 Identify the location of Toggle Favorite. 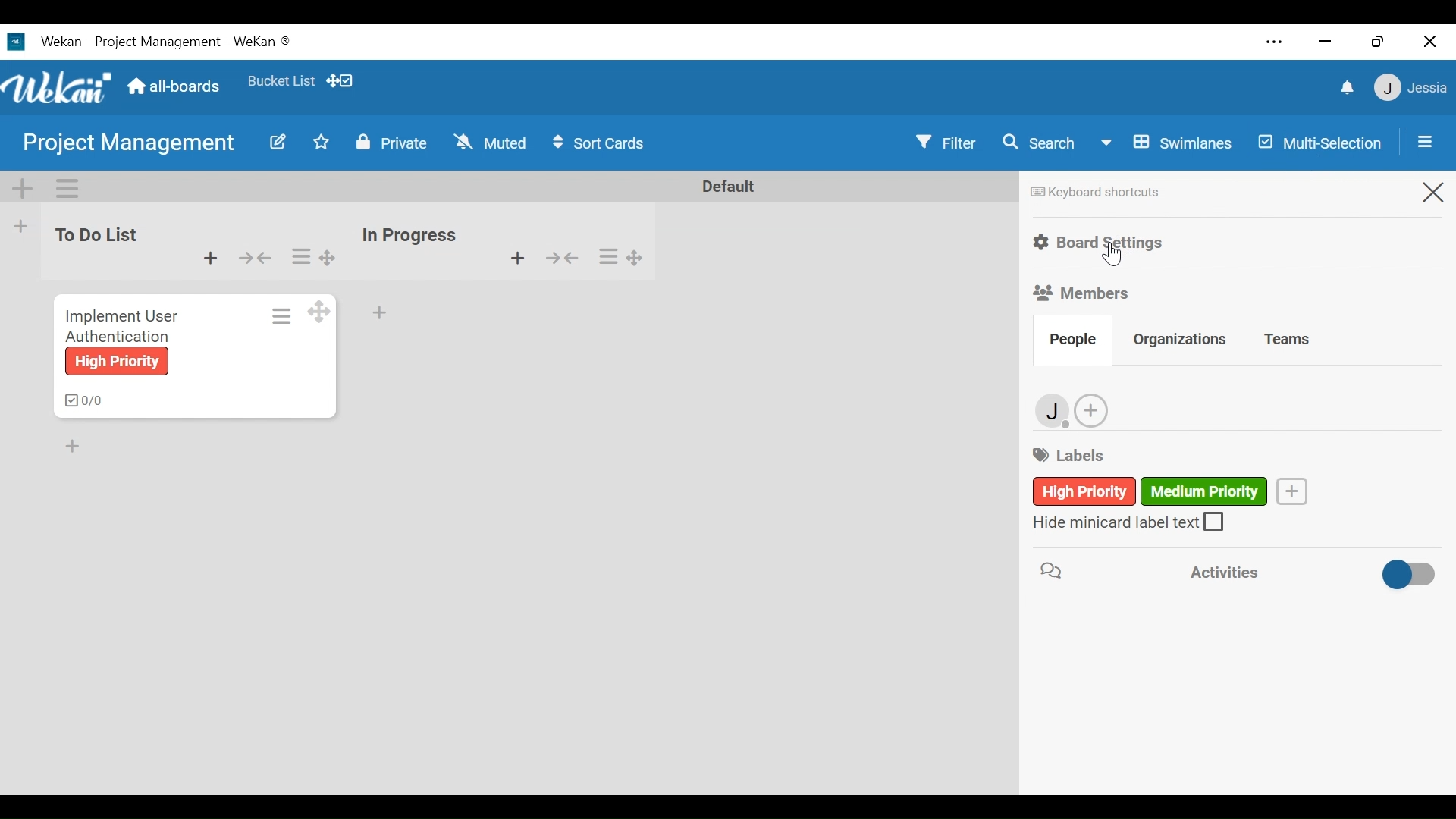
(318, 143).